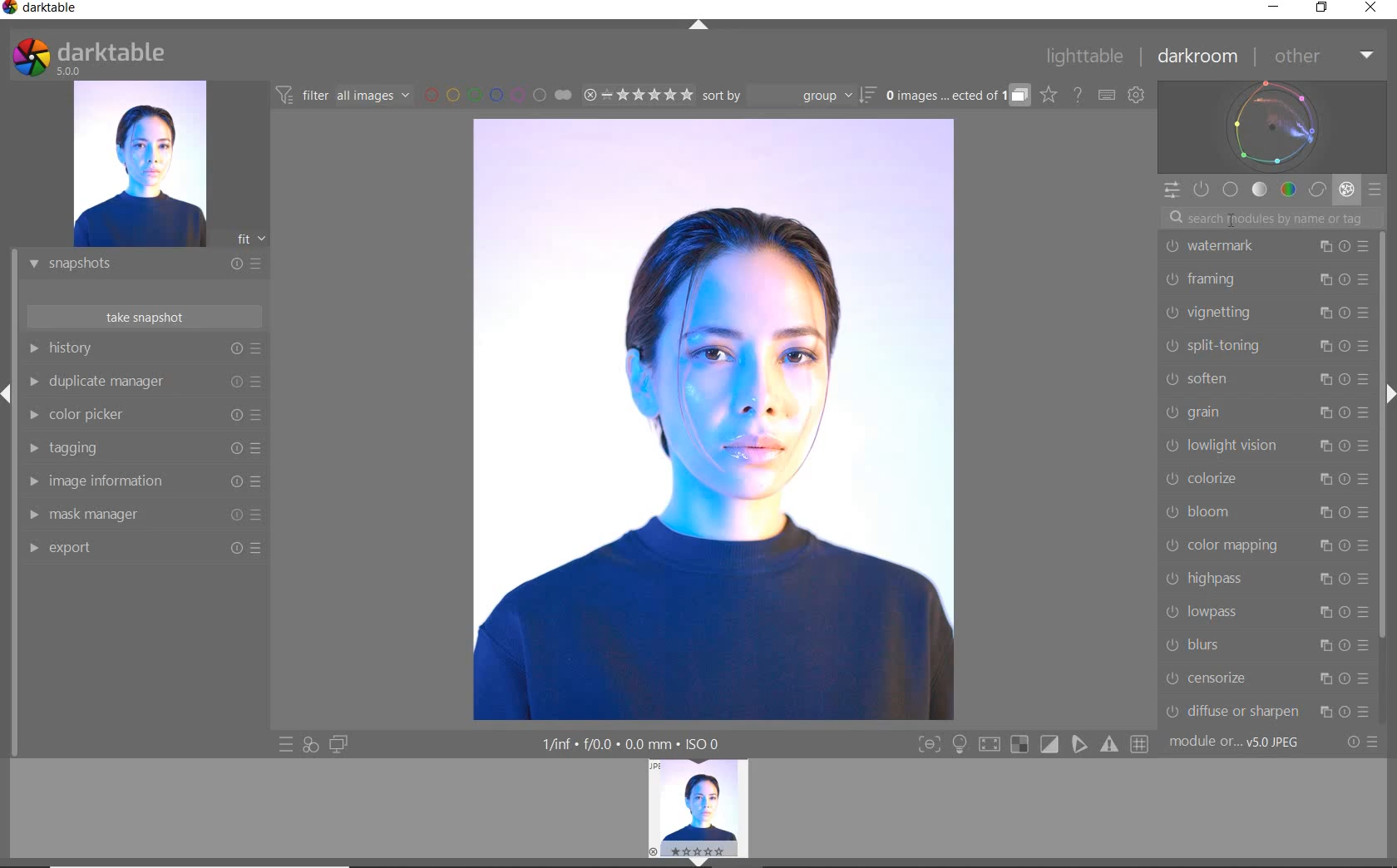  I want to click on IMAGE PREVIEW, so click(698, 804).